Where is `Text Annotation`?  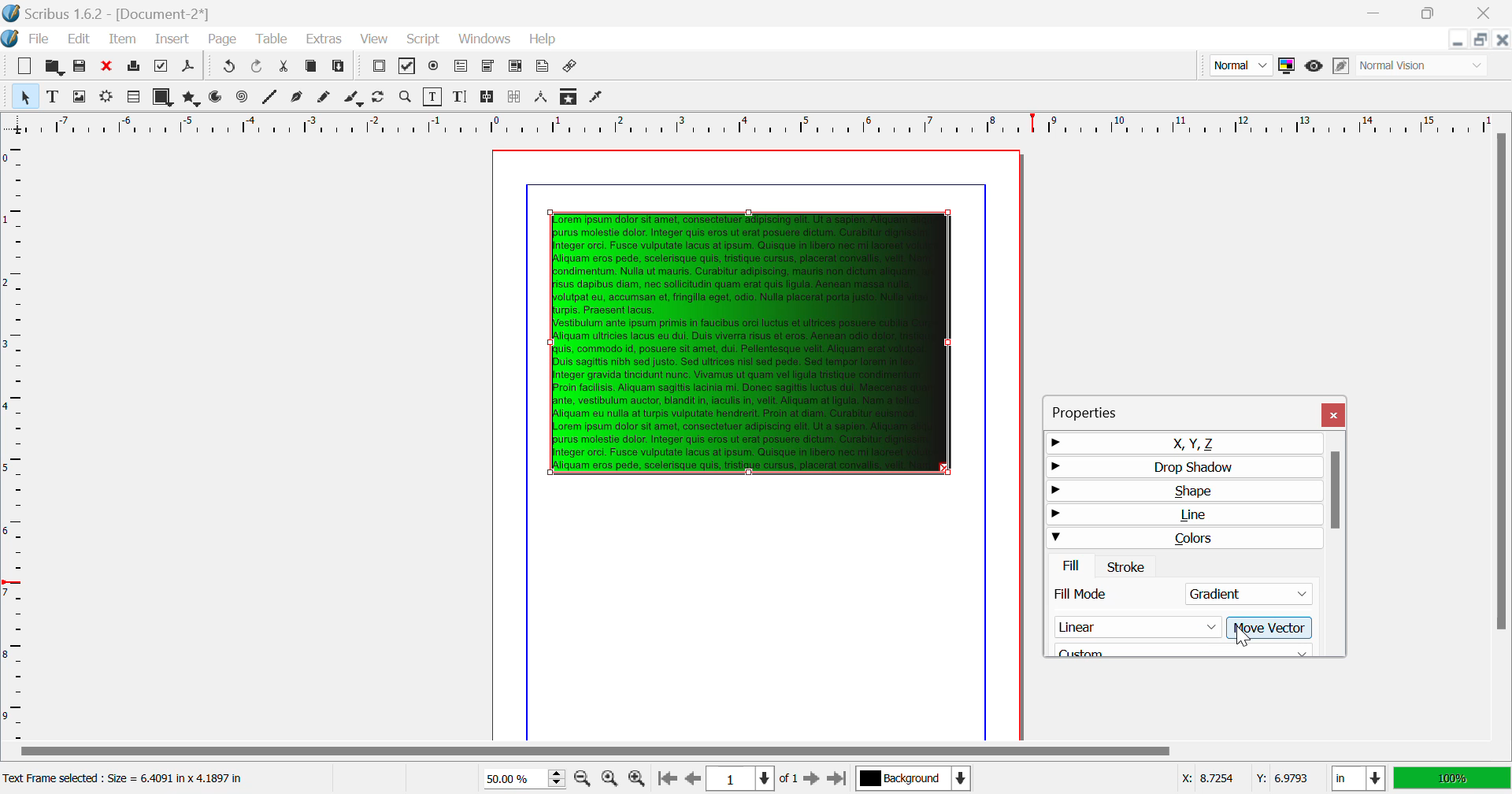
Text Annotation is located at coordinates (542, 68).